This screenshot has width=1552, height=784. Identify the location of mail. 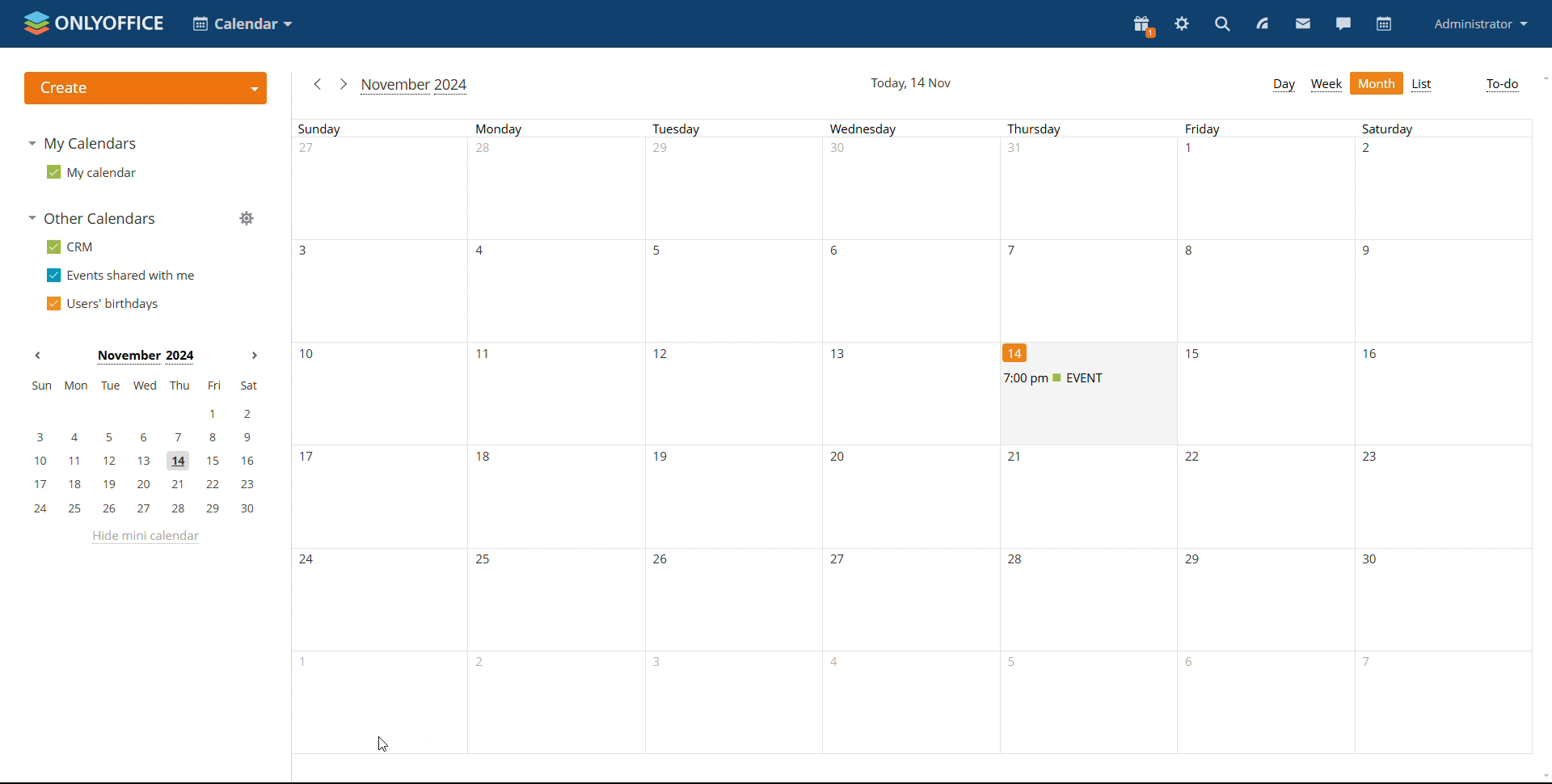
(1301, 24).